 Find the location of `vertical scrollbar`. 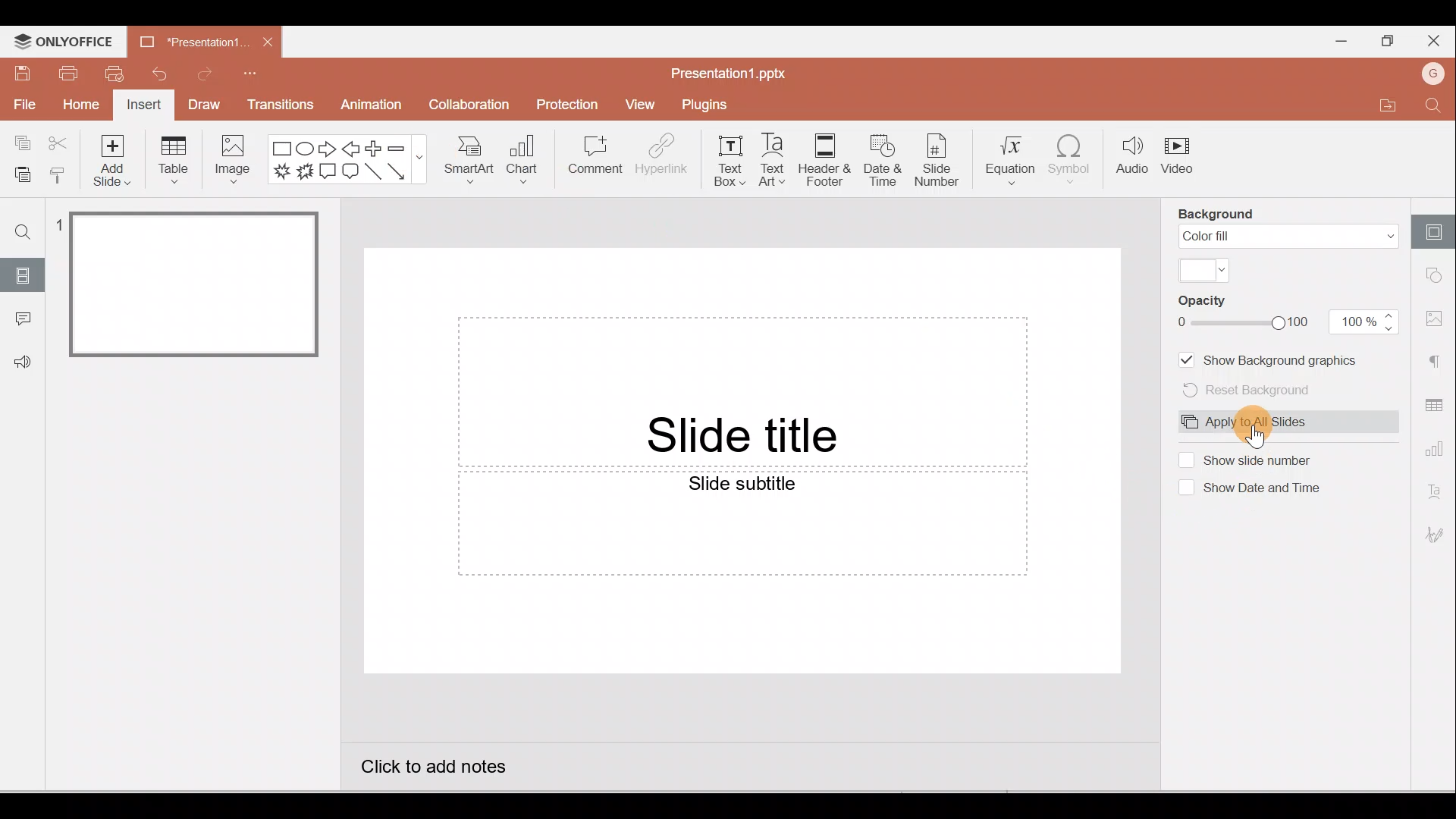

vertical scrollbar is located at coordinates (331, 272).